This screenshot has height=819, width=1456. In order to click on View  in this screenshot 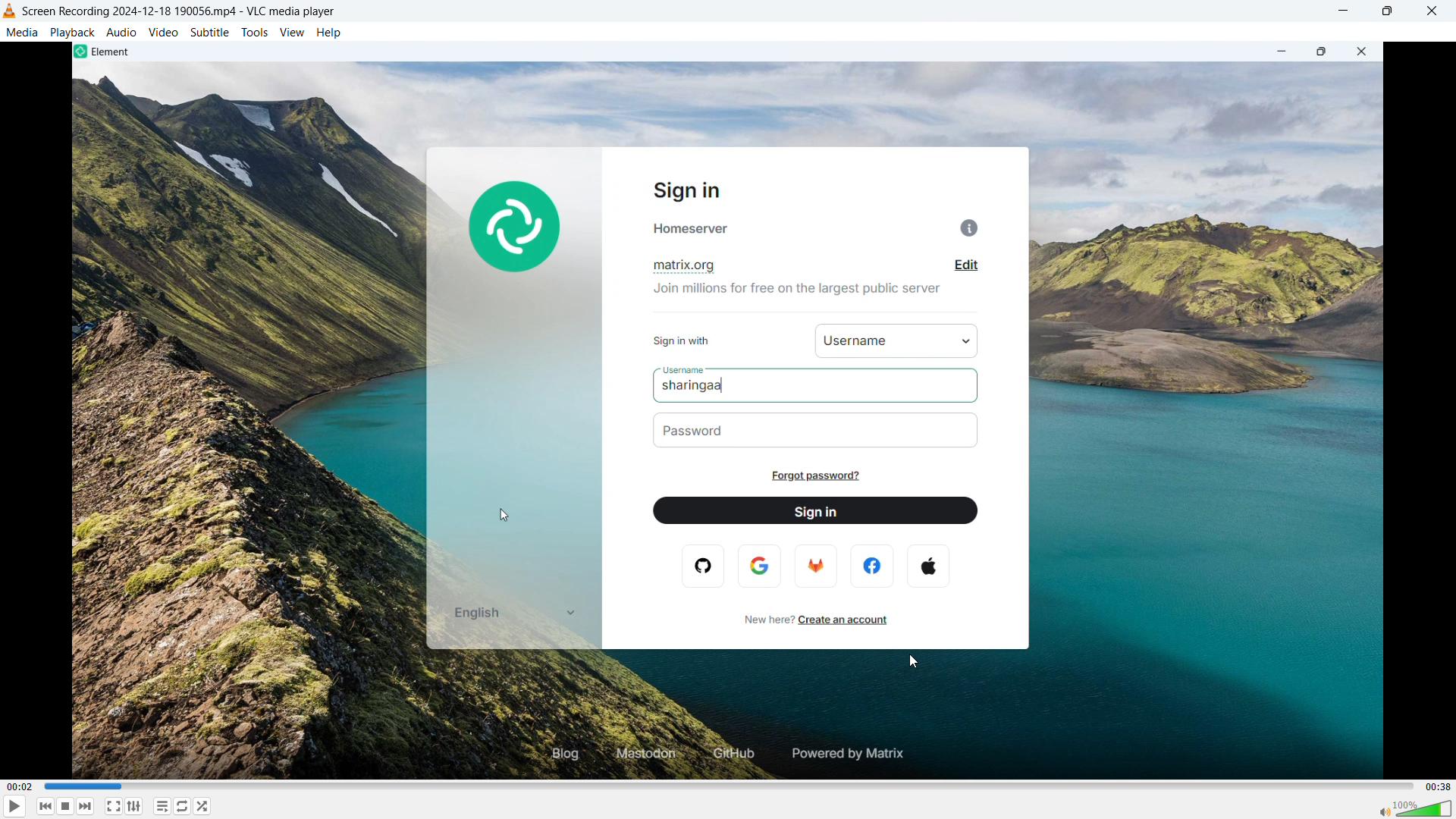, I will do `click(293, 32)`.